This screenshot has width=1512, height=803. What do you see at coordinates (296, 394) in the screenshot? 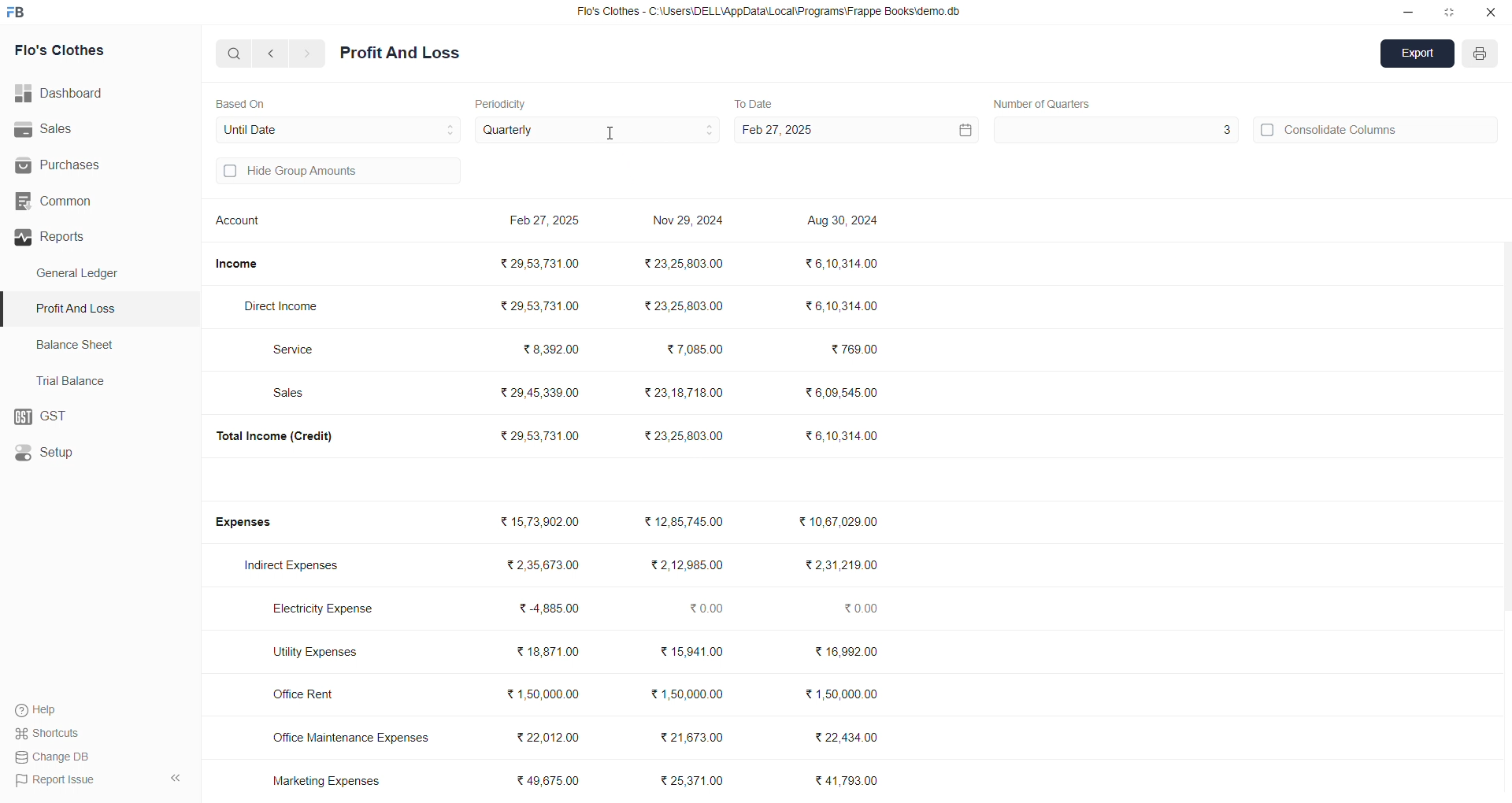
I see `Sales` at bounding box center [296, 394].